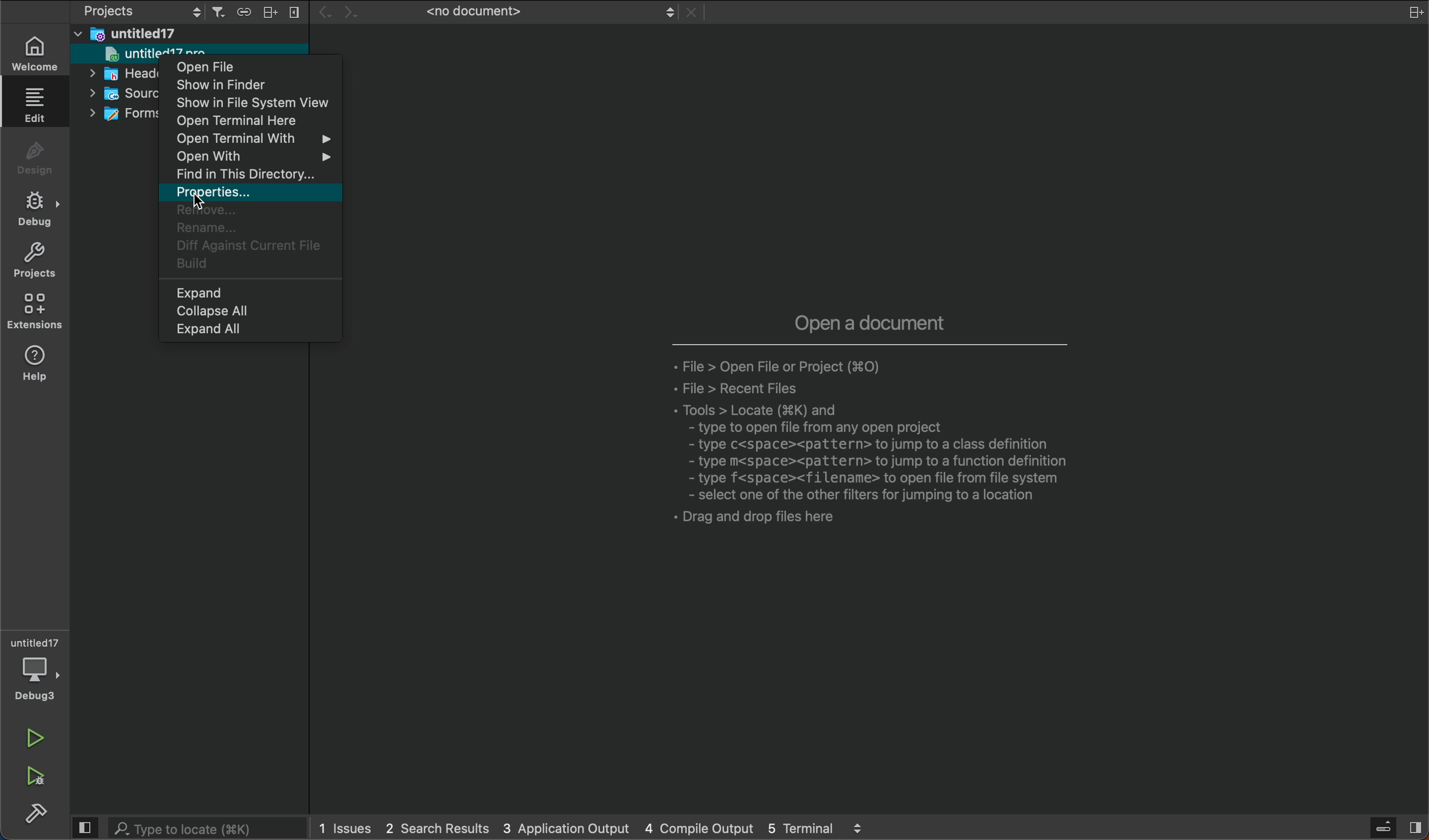  I want to click on file tab, so click(536, 13).